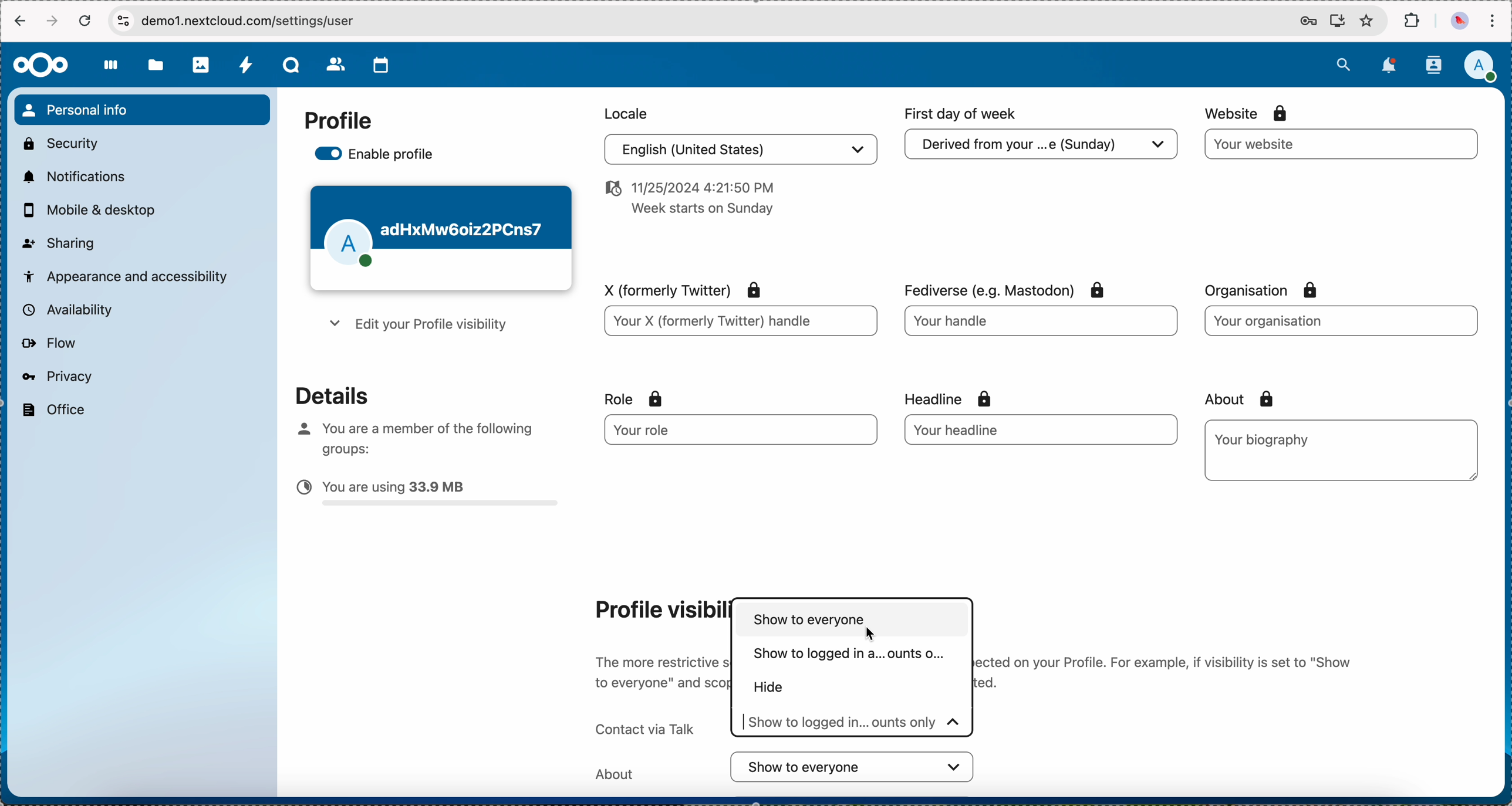 This screenshot has width=1512, height=806. Describe the element at coordinates (634, 399) in the screenshot. I see `role` at that location.